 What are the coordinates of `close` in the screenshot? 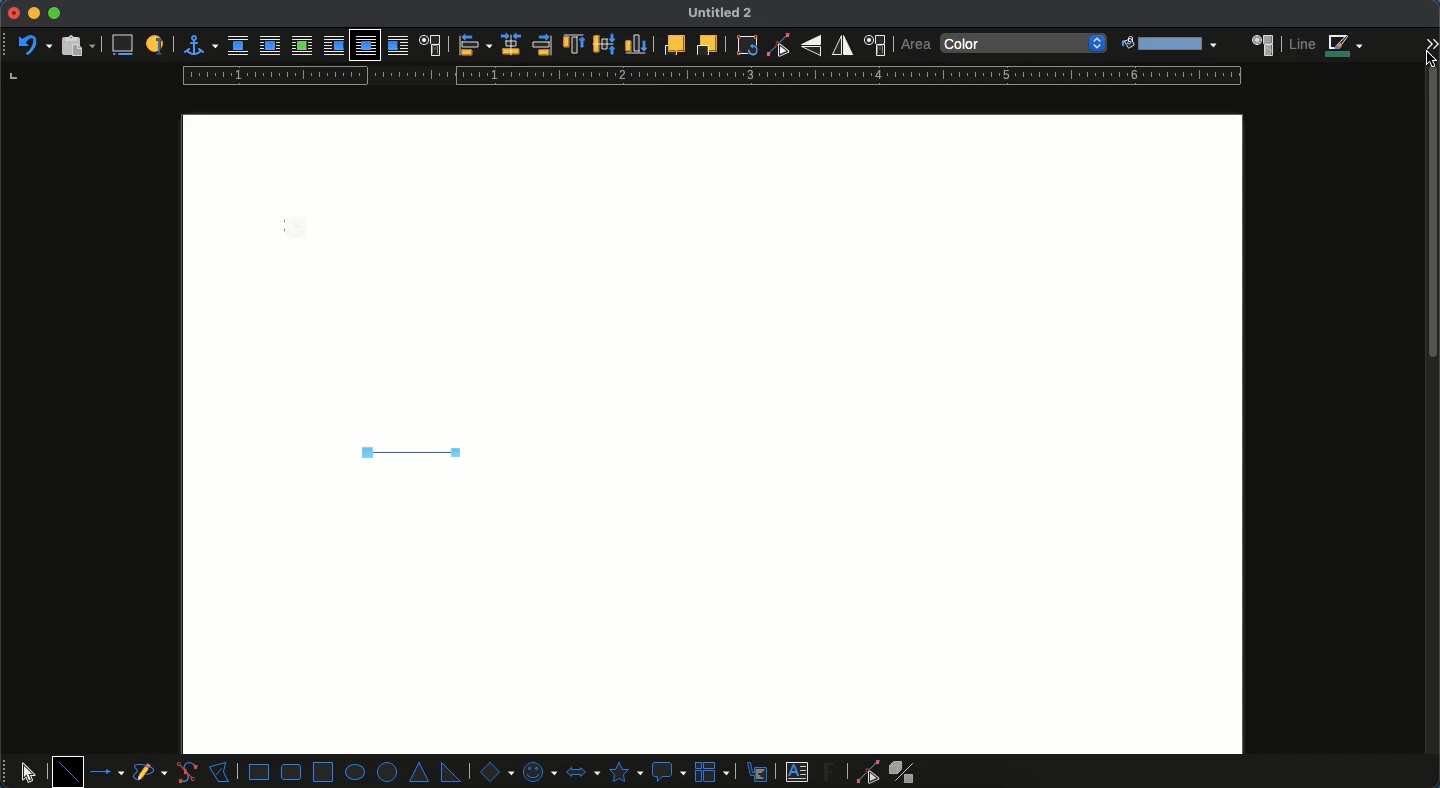 It's located at (13, 13).